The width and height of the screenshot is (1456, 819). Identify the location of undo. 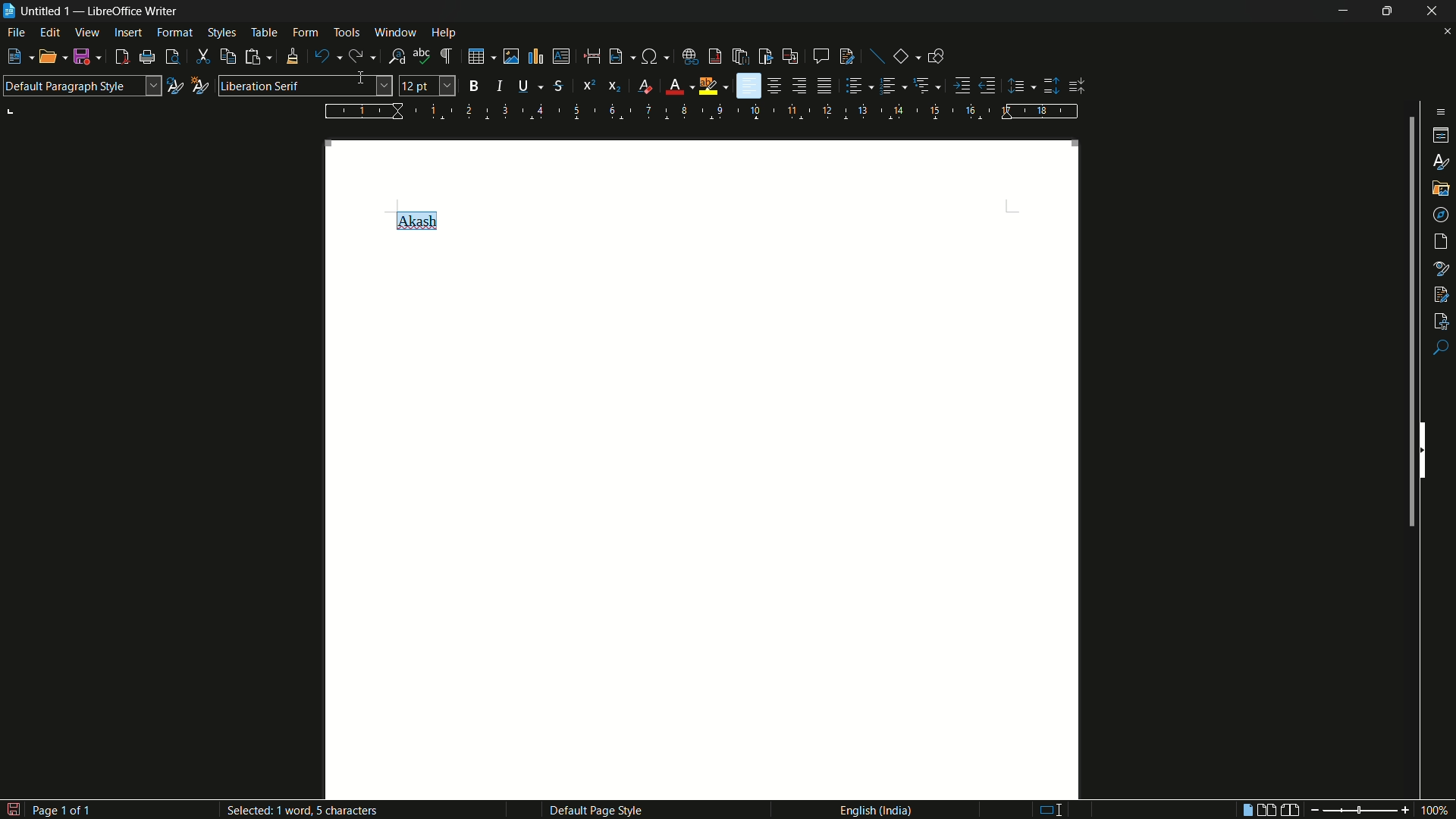
(322, 57).